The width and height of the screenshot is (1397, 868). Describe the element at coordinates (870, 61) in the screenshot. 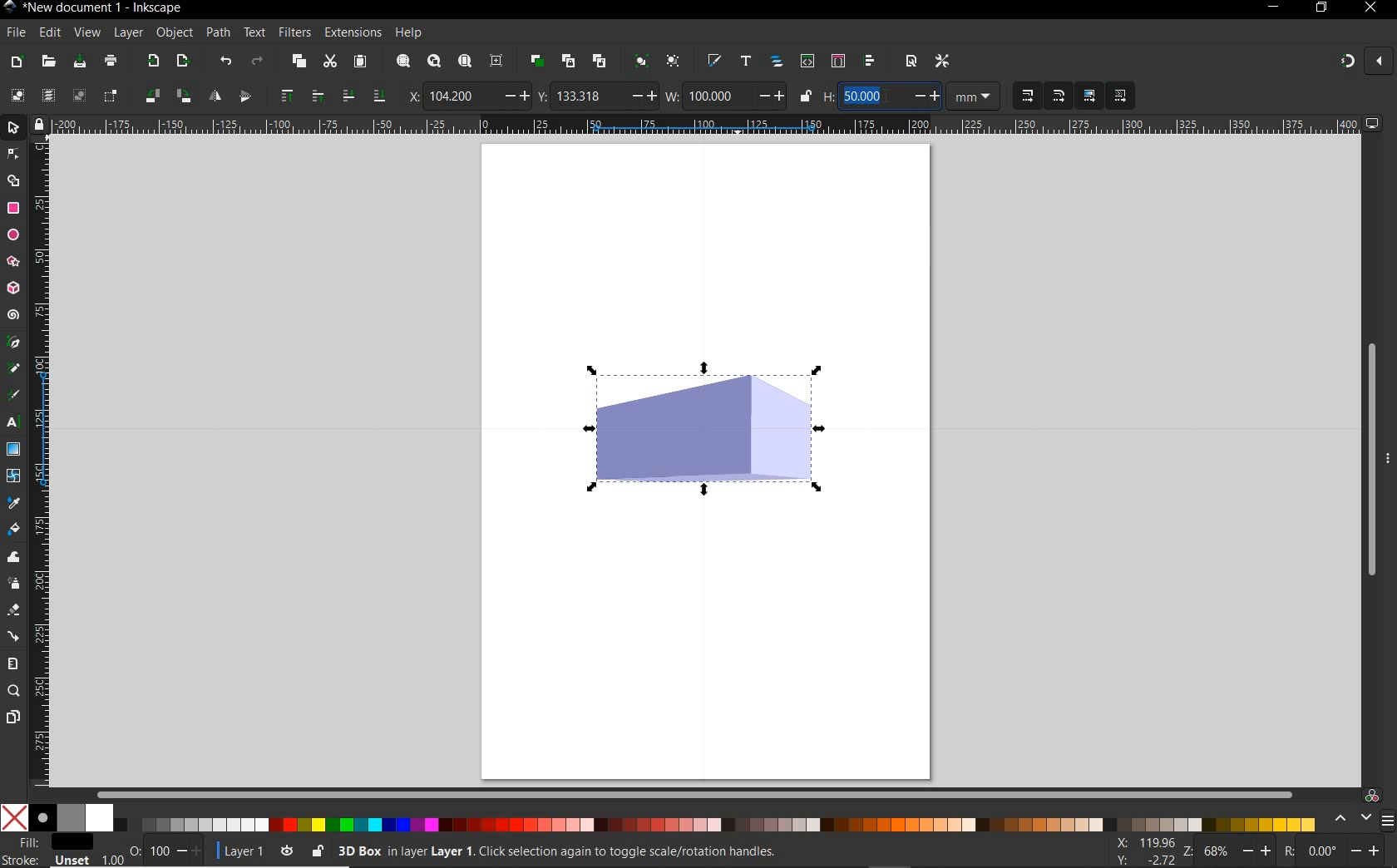

I see `open align and distribute` at that location.